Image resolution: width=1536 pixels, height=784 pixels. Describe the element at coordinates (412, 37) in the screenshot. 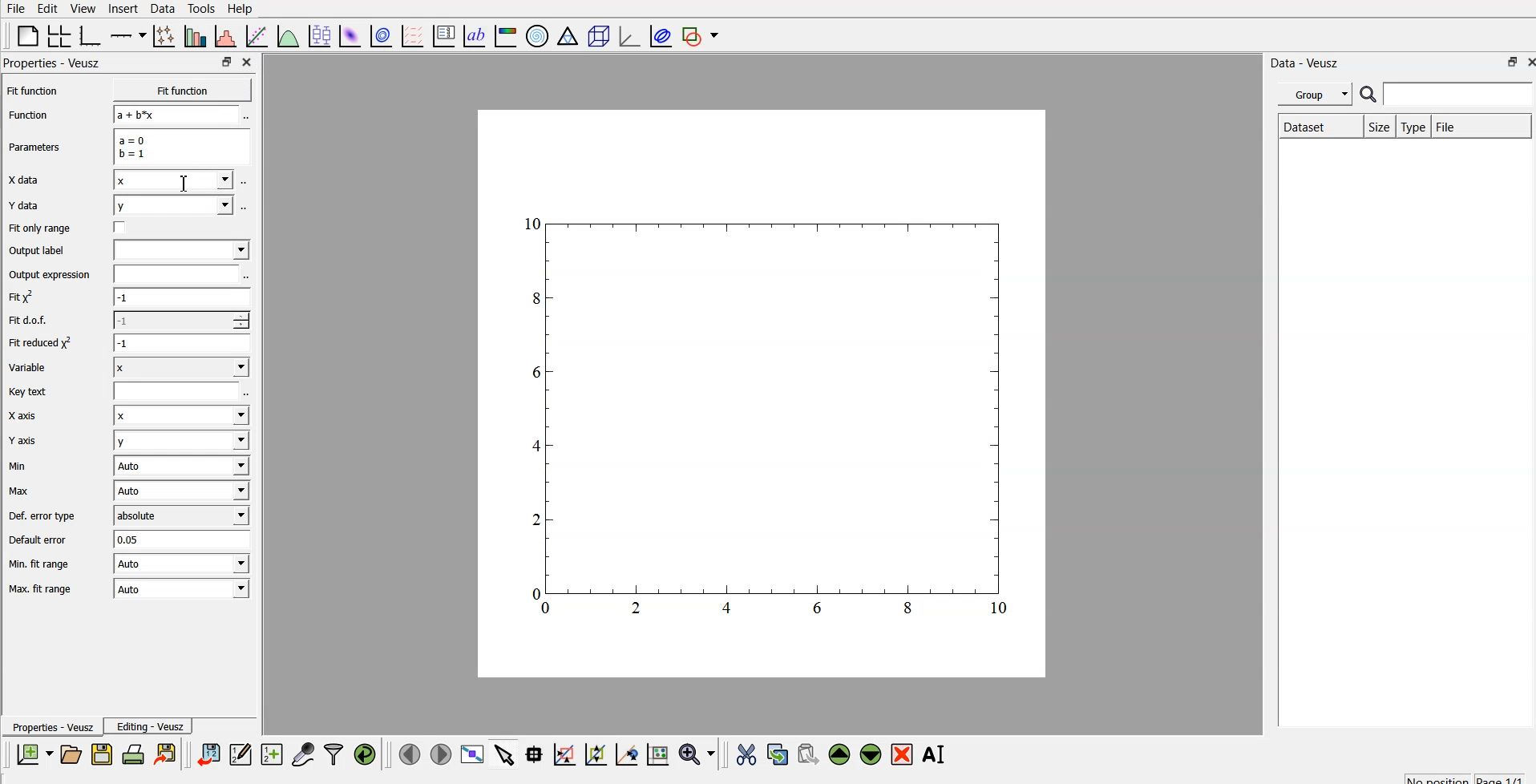

I see `plot a vector field` at that location.